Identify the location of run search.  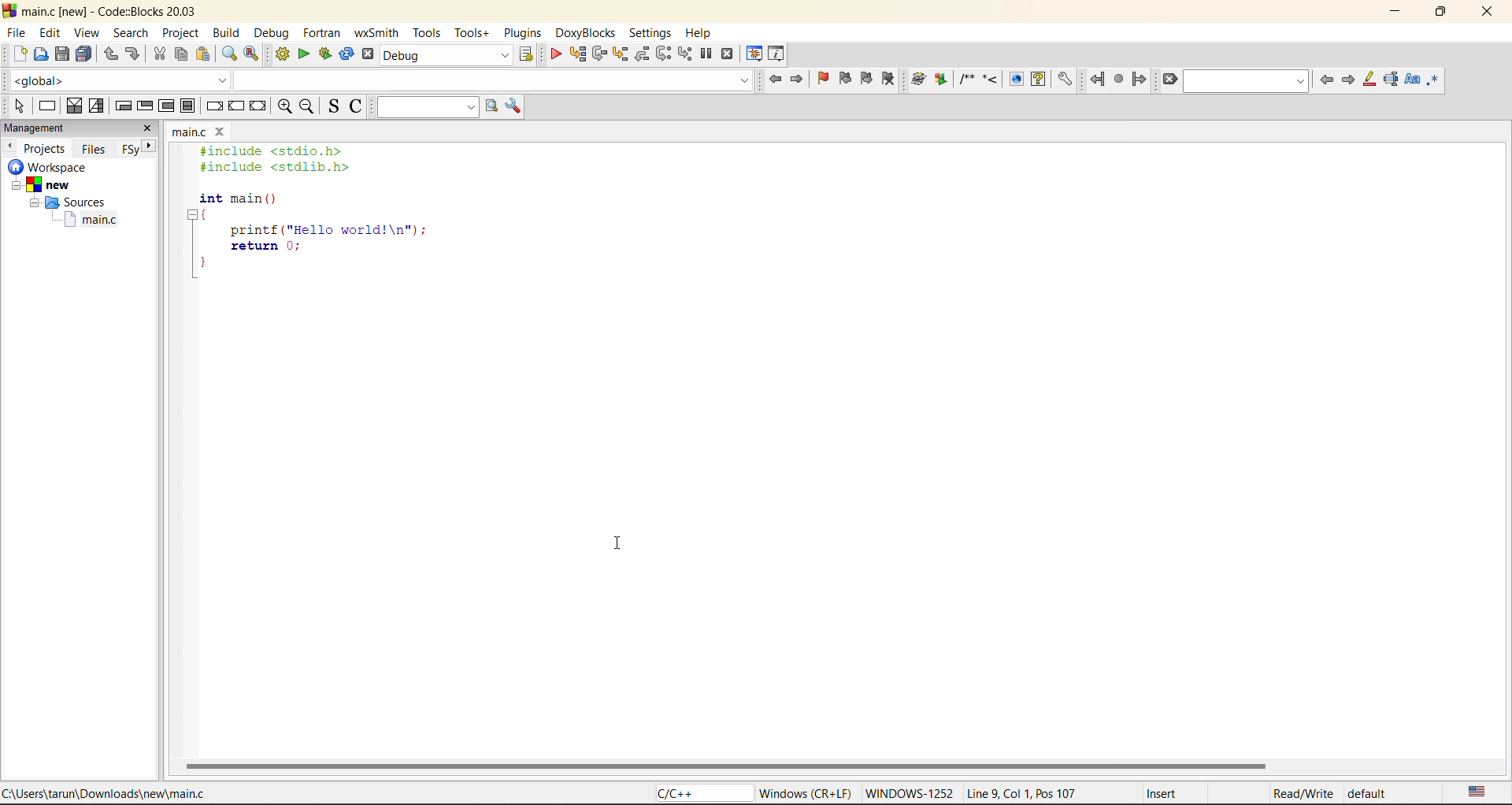
(494, 106).